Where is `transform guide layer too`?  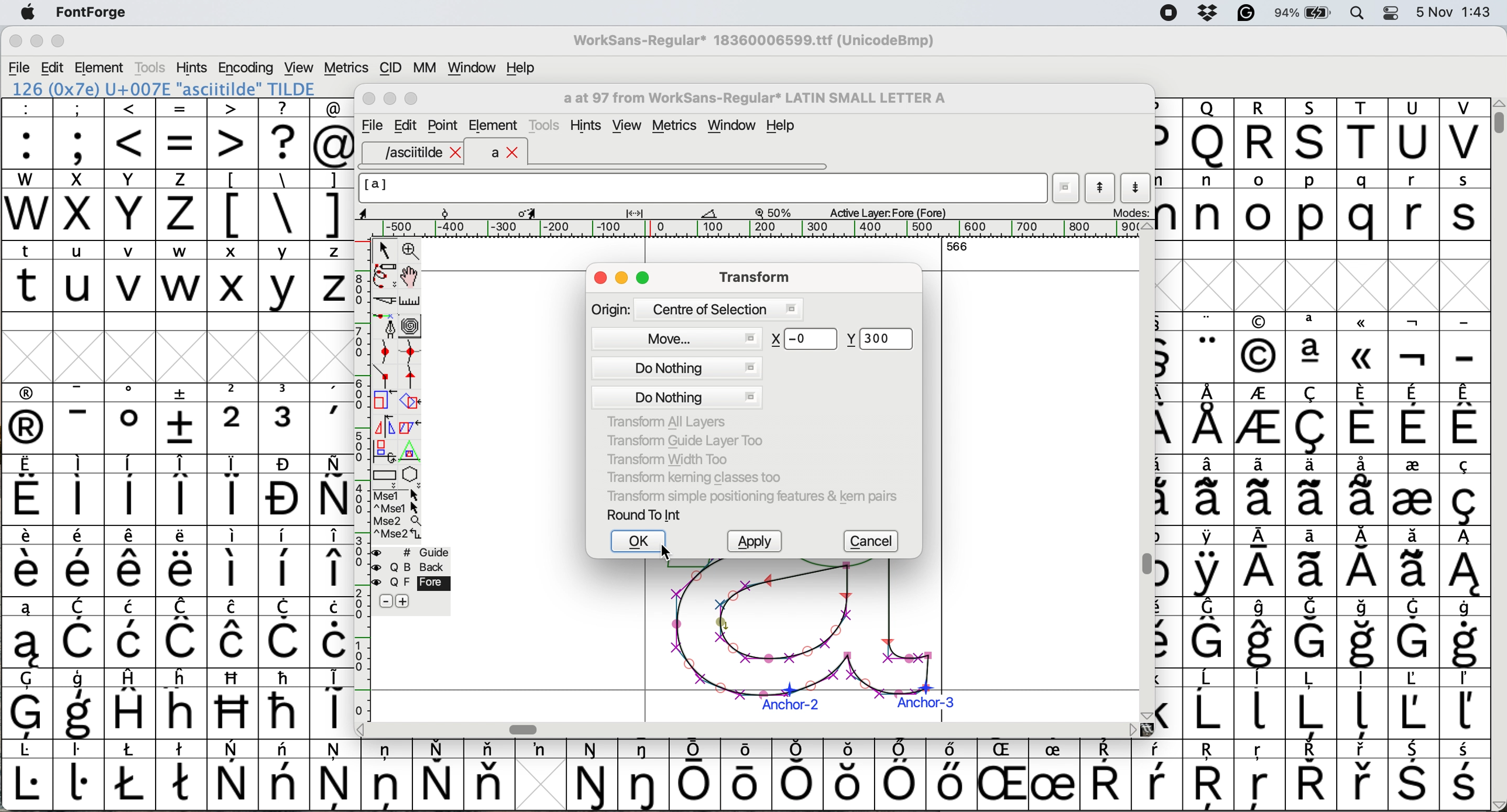
transform guide layer too is located at coordinates (680, 439).